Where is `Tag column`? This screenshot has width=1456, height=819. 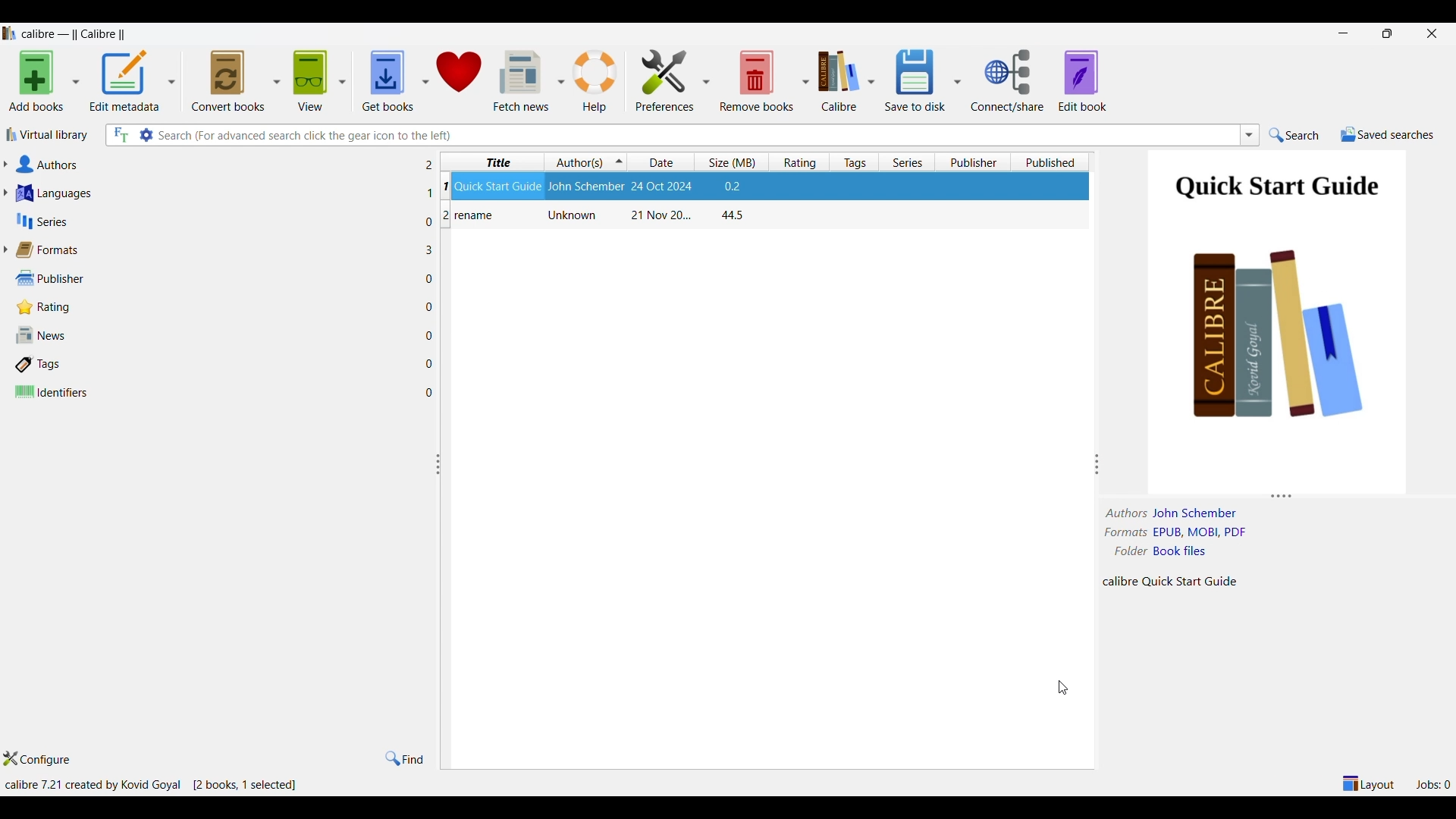
Tag column is located at coordinates (852, 162).